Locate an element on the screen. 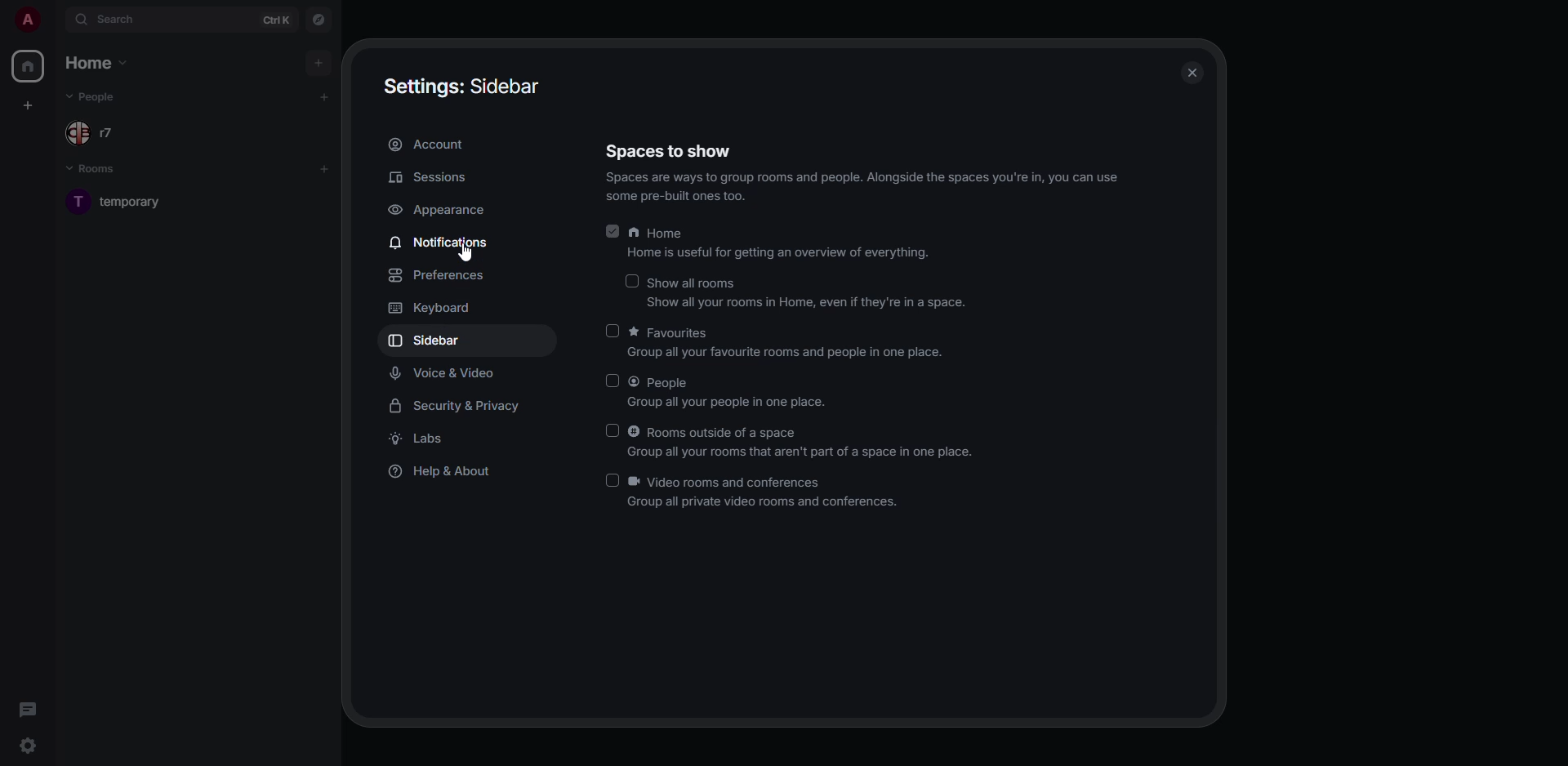  ctrl K is located at coordinates (277, 20).